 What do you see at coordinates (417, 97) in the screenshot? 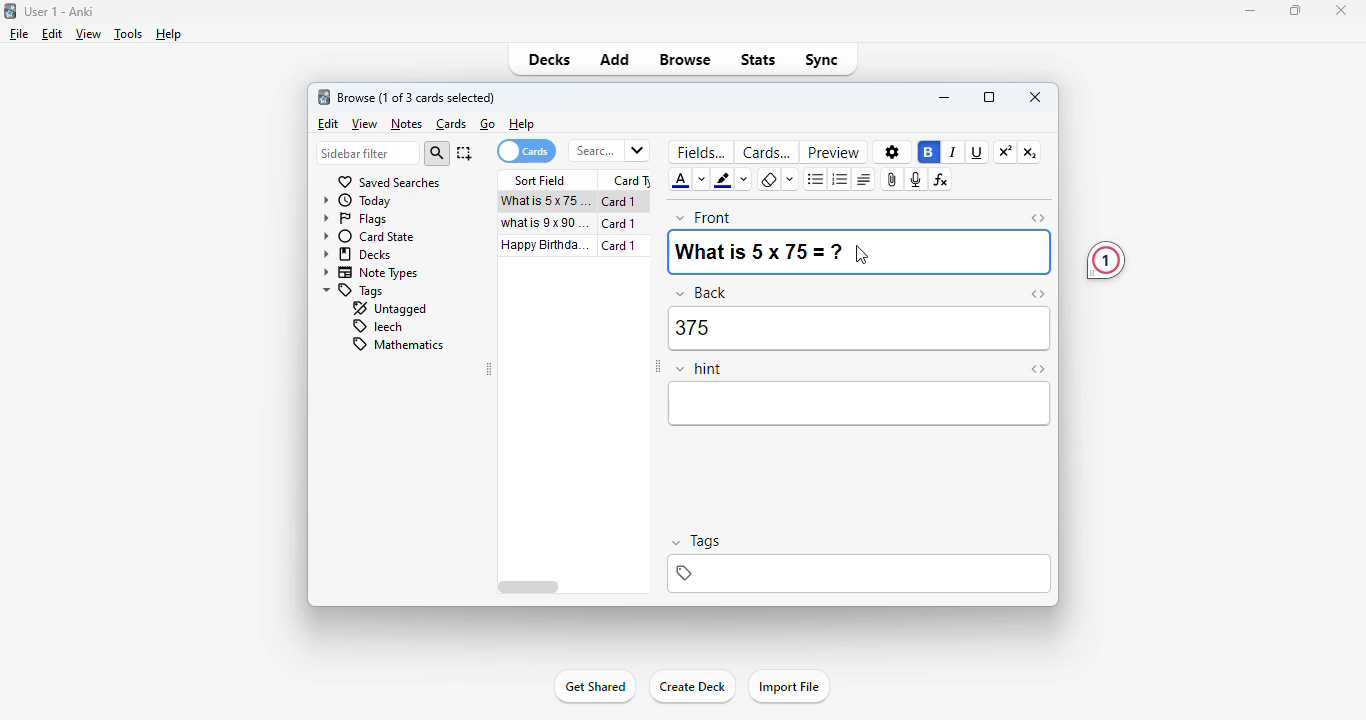
I see `browse (1 of 3 cards selected)` at bounding box center [417, 97].